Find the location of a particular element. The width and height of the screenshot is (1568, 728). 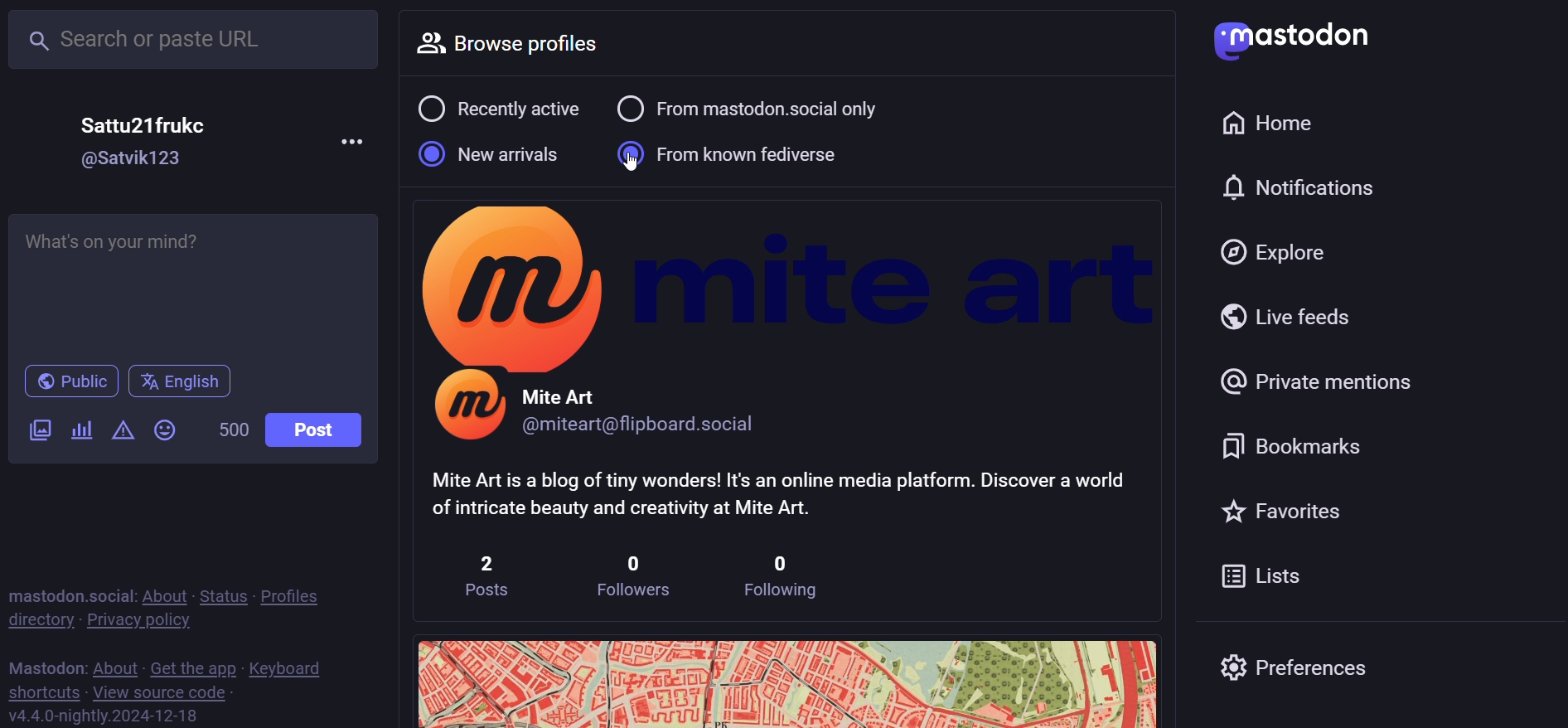

profiles is located at coordinates (301, 595).